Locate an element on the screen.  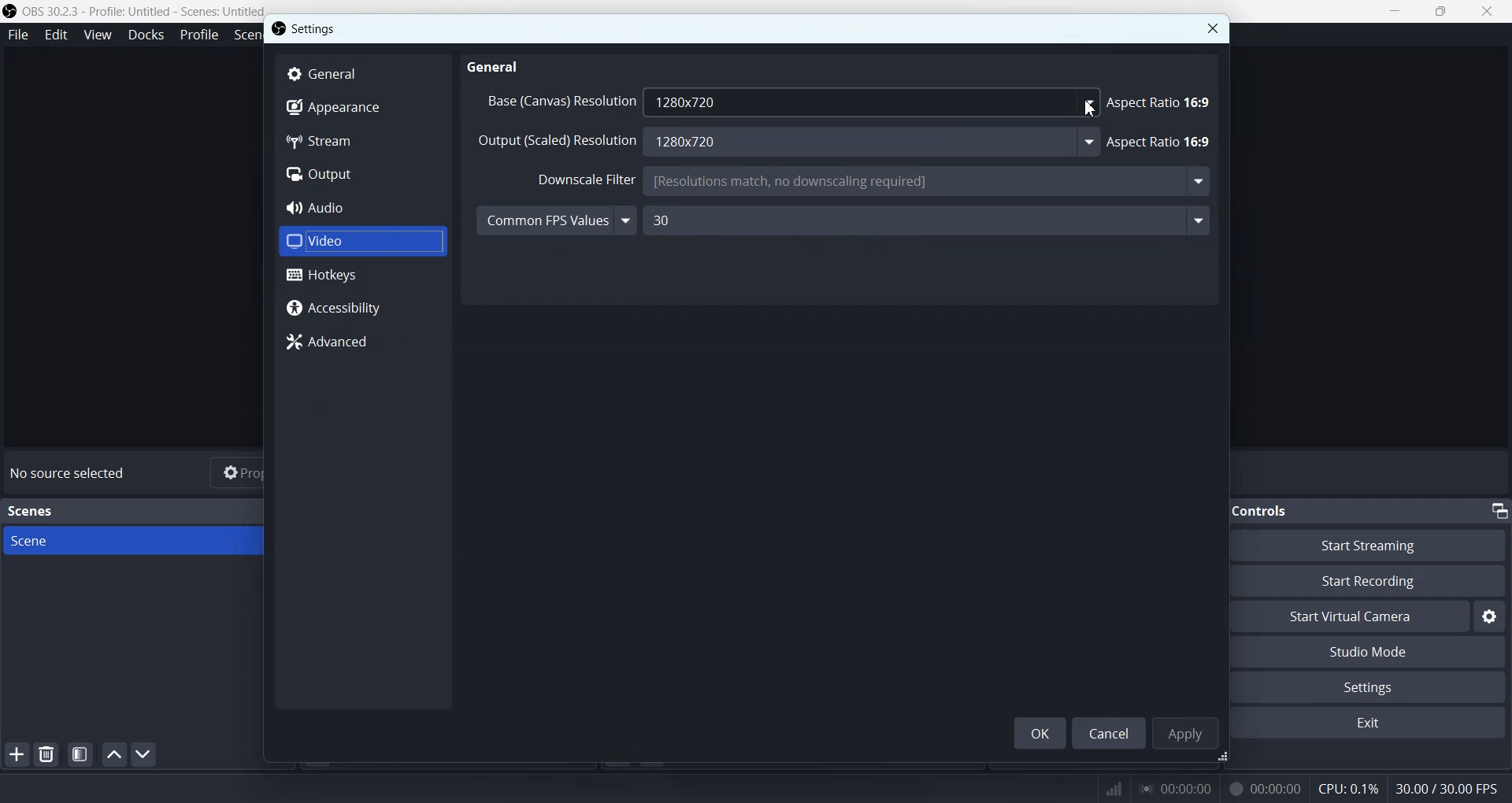
CPU is located at coordinates (1349, 790).